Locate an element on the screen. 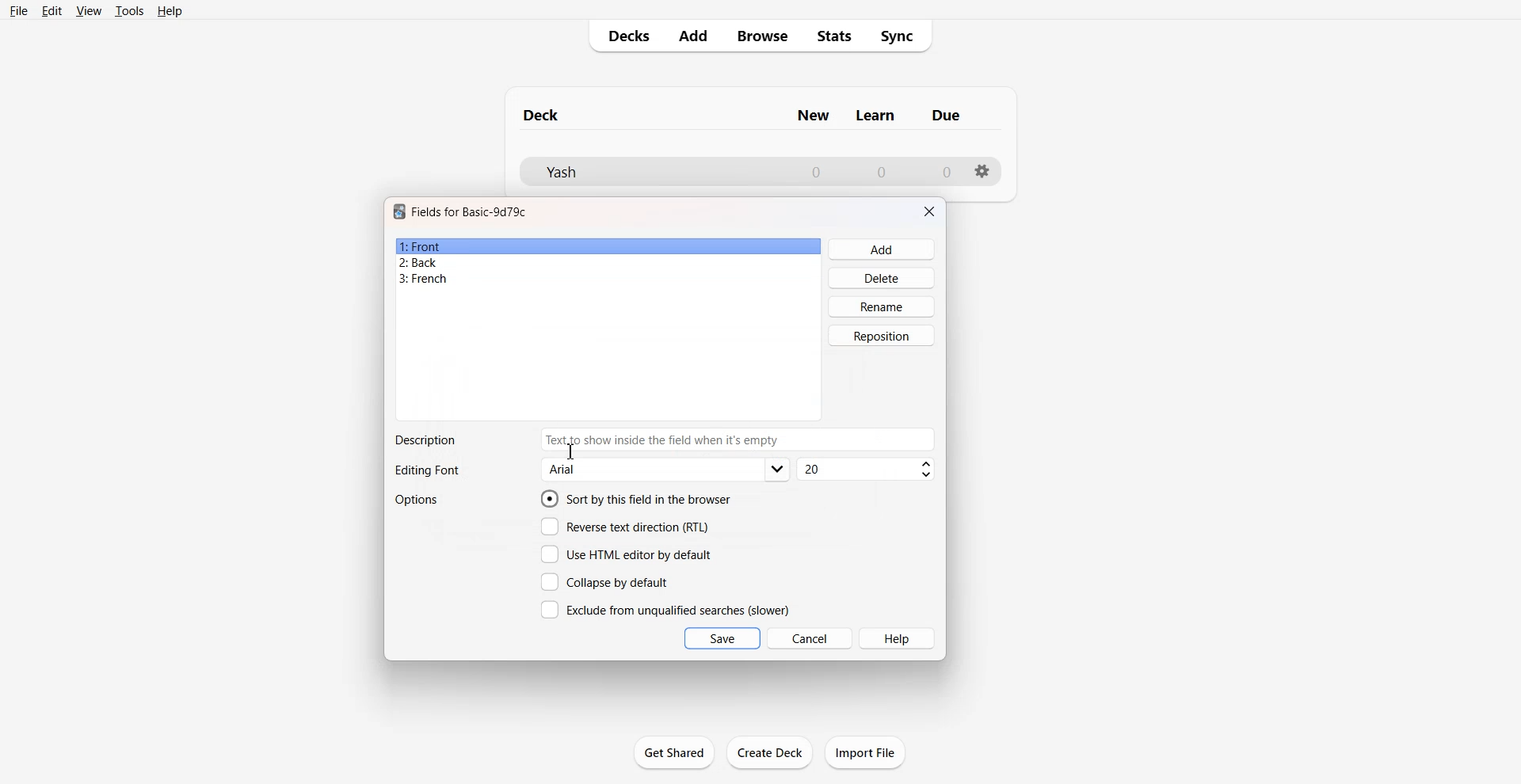  Text is located at coordinates (426, 471).